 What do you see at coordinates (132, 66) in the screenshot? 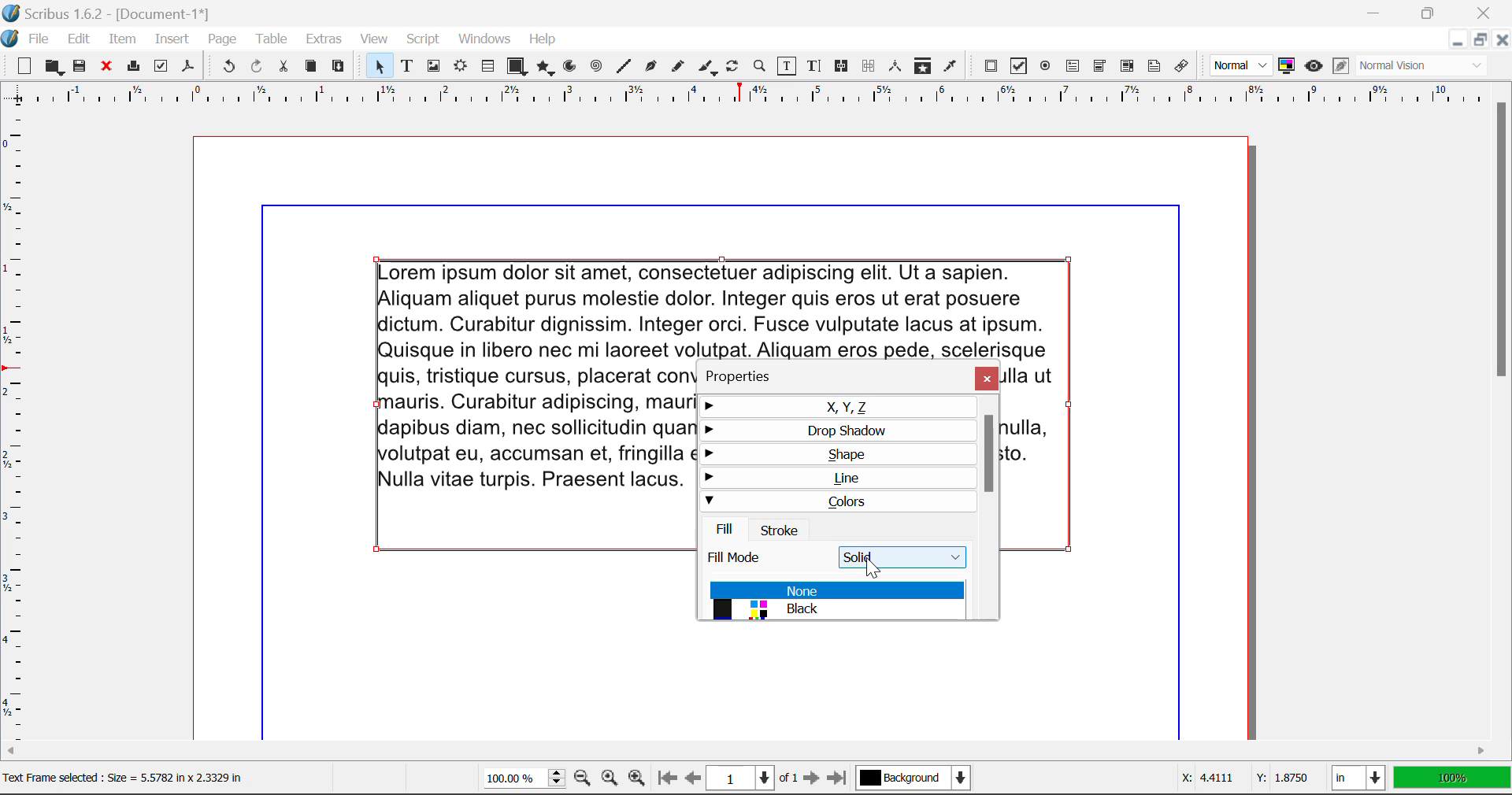
I see `Print` at bounding box center [132, 66].